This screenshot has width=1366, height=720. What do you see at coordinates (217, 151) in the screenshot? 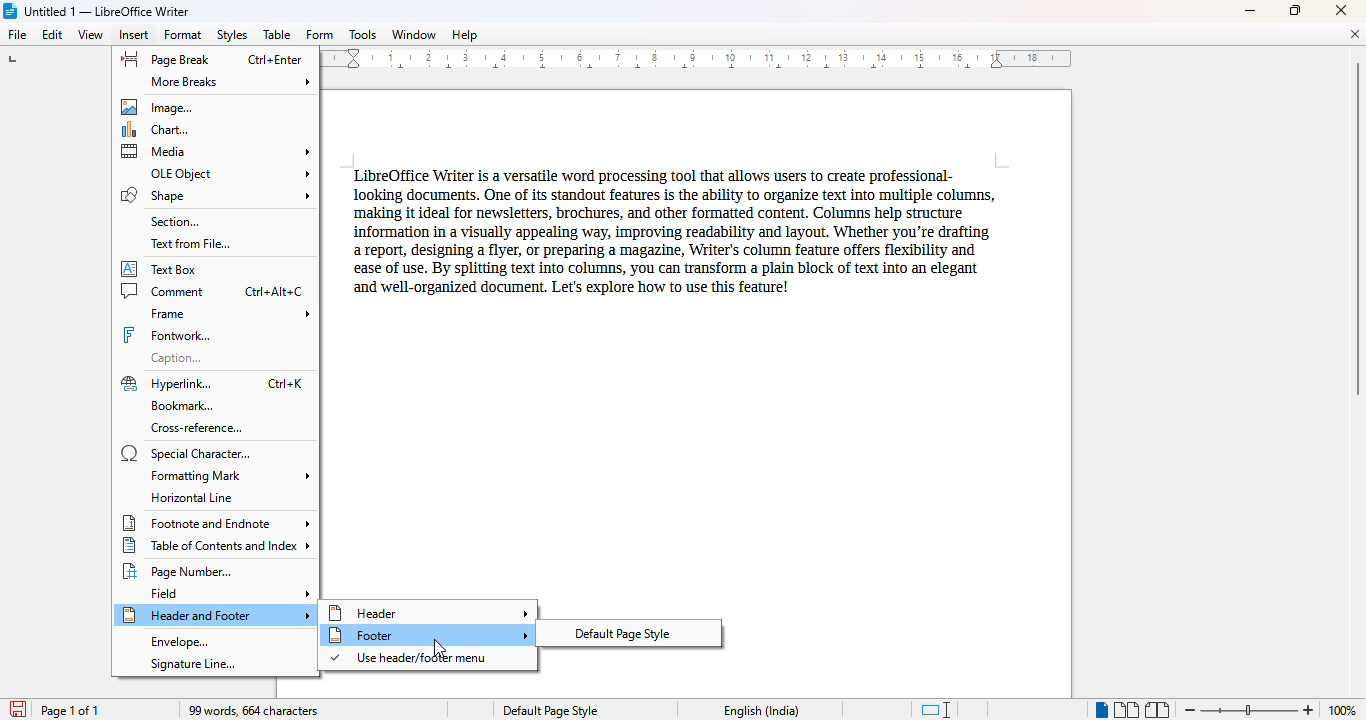
I see `media` at bounding box center [217, 151].